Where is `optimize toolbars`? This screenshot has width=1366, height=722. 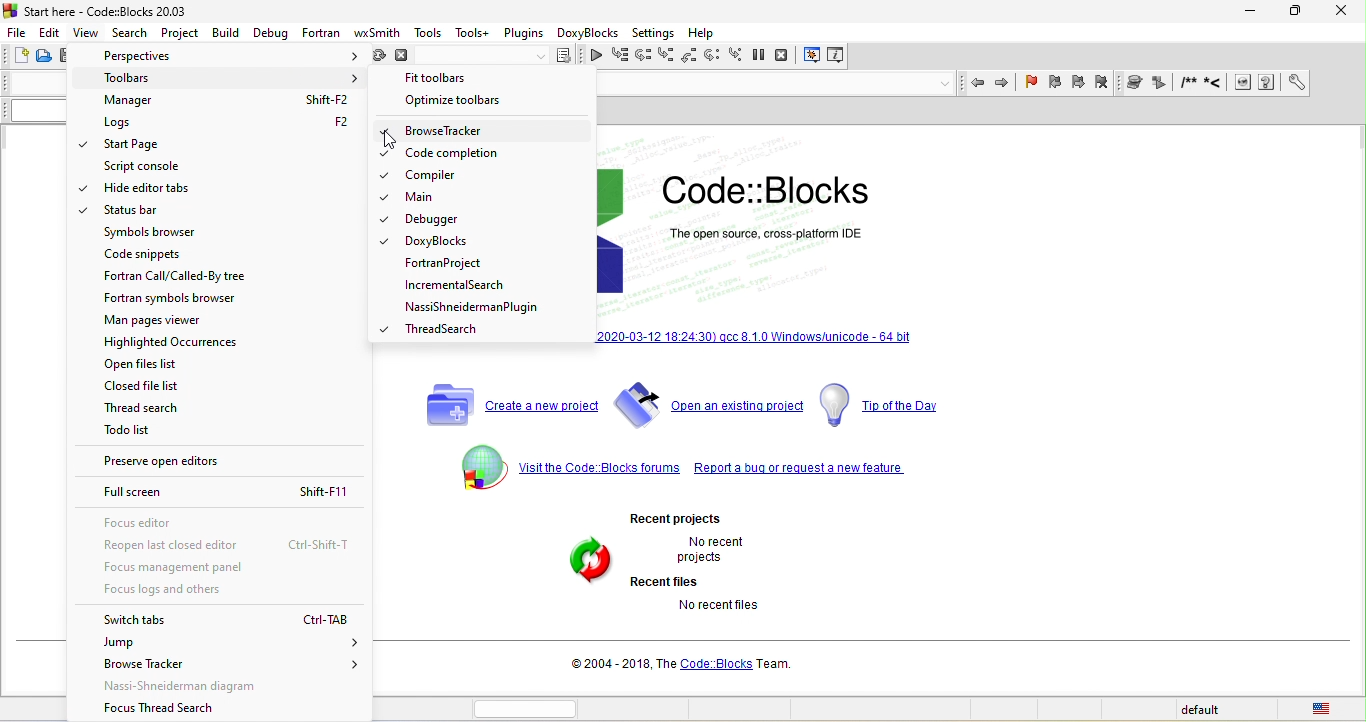
optimize toolbars is located at coordinates (465, 103).